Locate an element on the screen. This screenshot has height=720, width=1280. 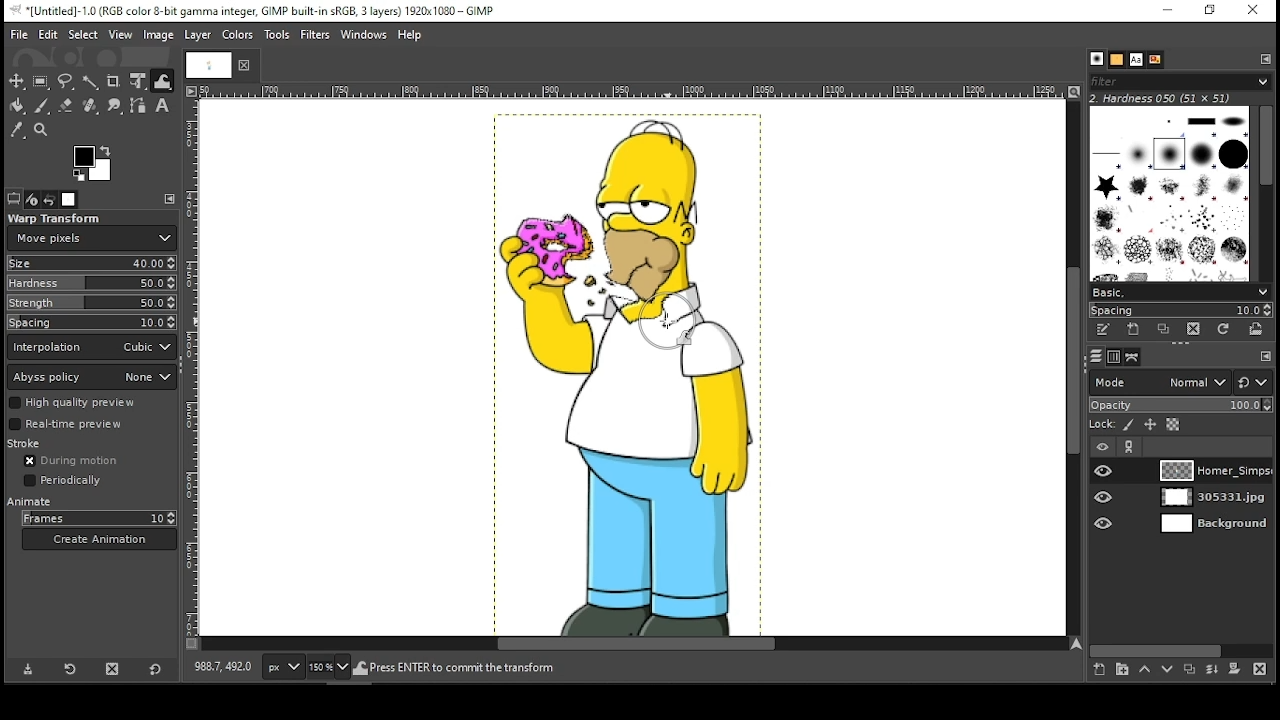
edit this brush is located at coordinates (1103, 330).